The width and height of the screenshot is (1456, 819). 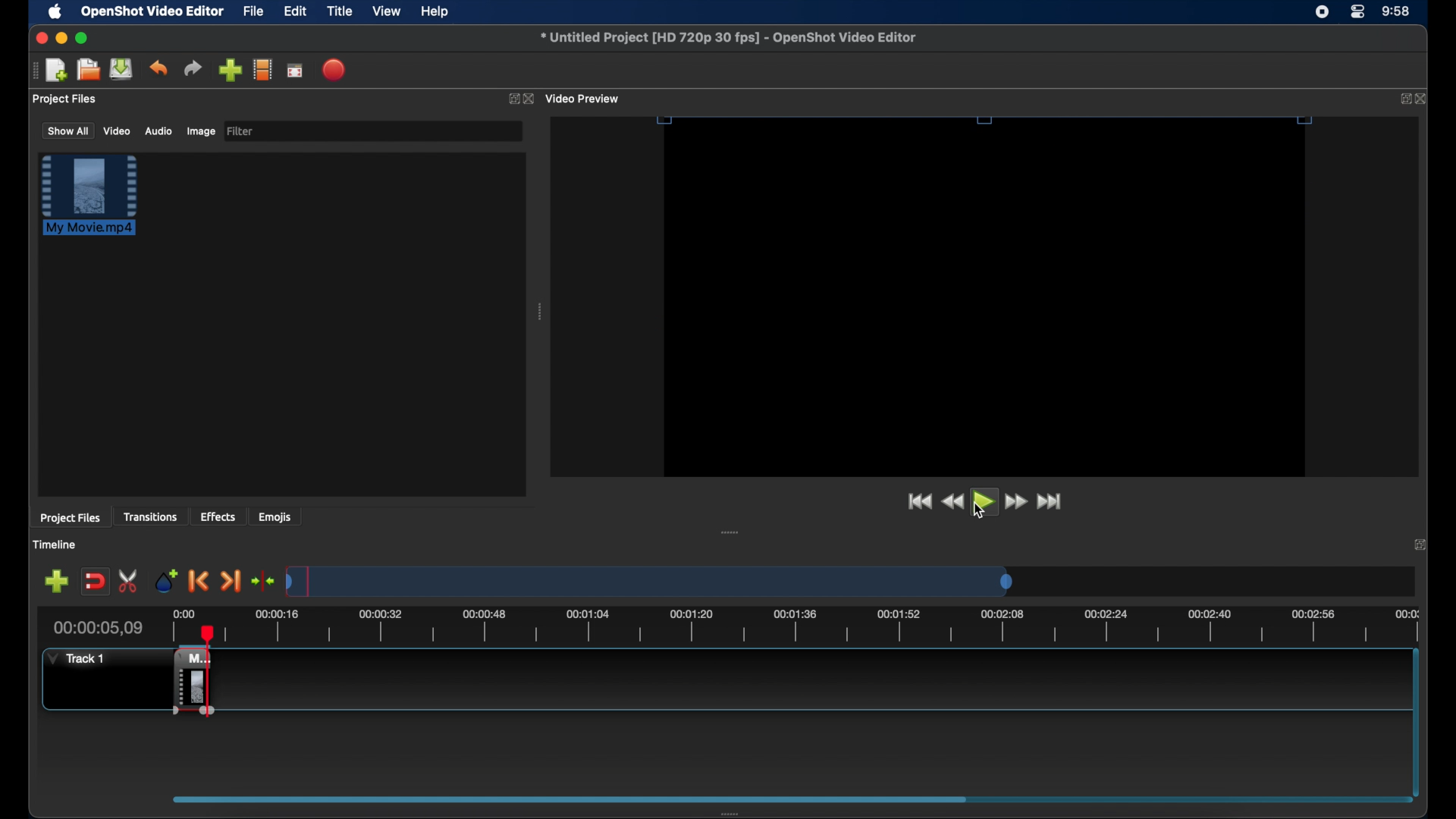 I want to click on timeline scale, so click(x=822, y=626).